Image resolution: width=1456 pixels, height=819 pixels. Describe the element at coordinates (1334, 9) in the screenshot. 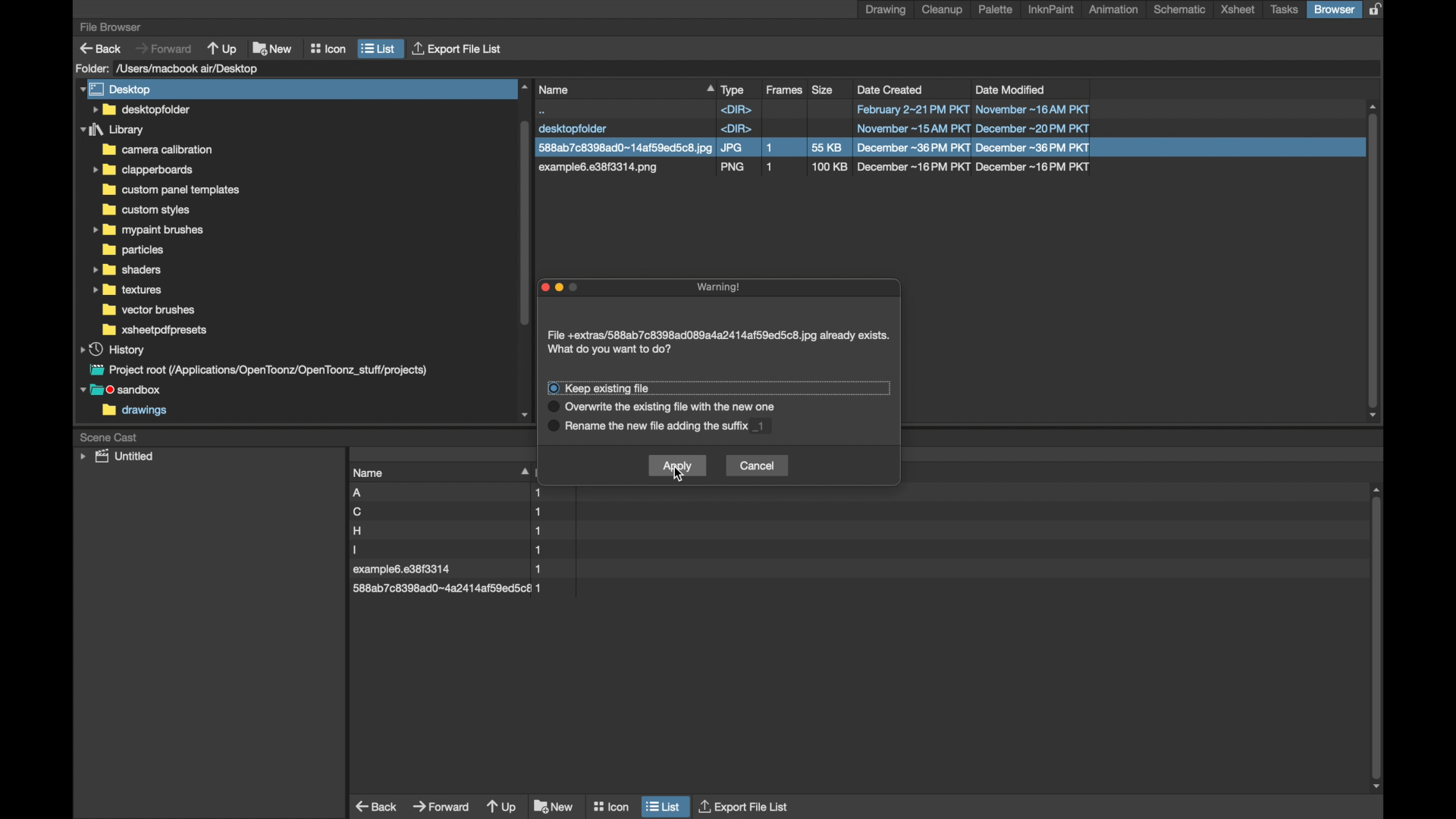

I see `browser` at that location.